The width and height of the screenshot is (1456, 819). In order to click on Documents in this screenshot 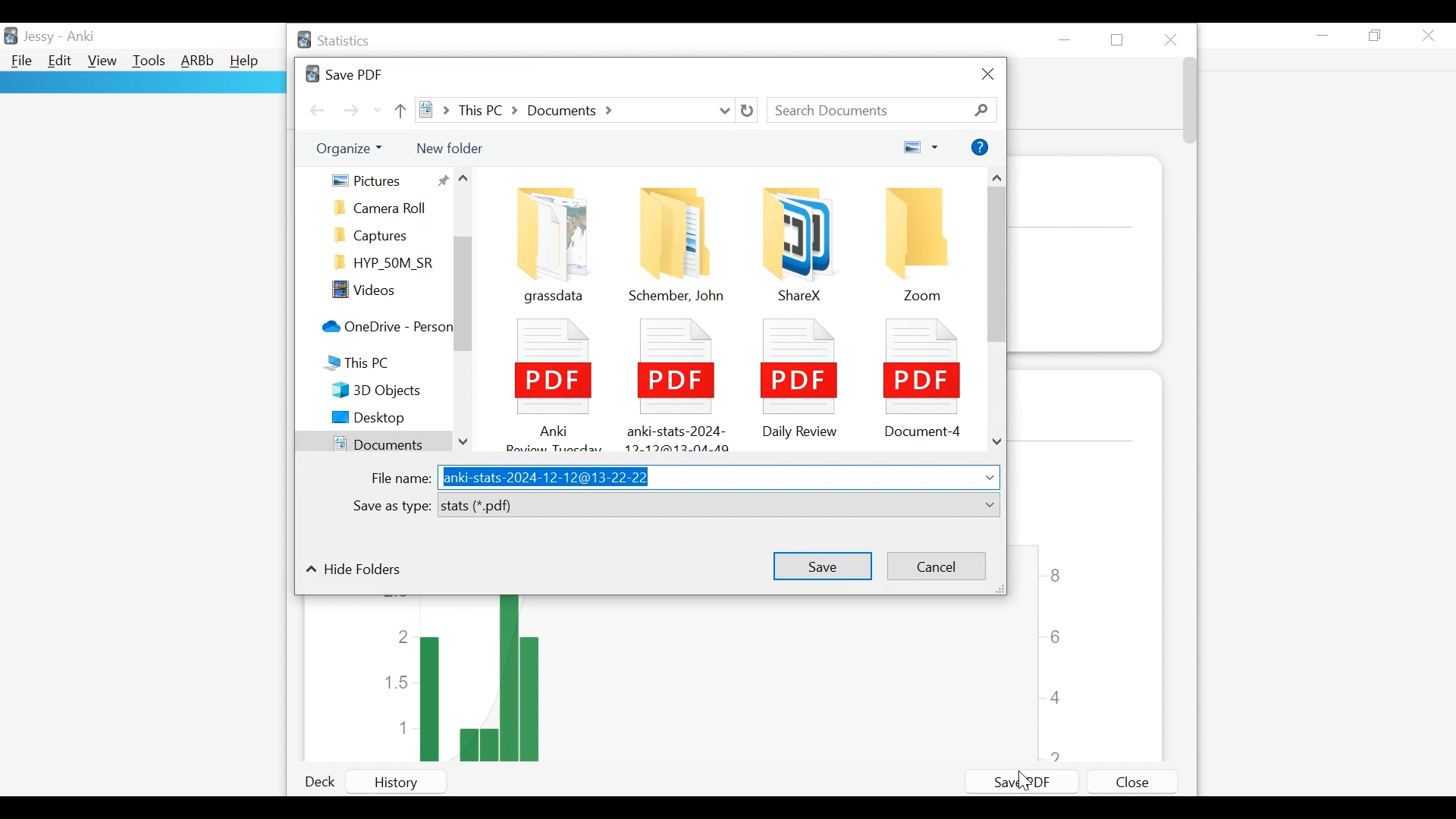, I will do `click(371, 442)`.